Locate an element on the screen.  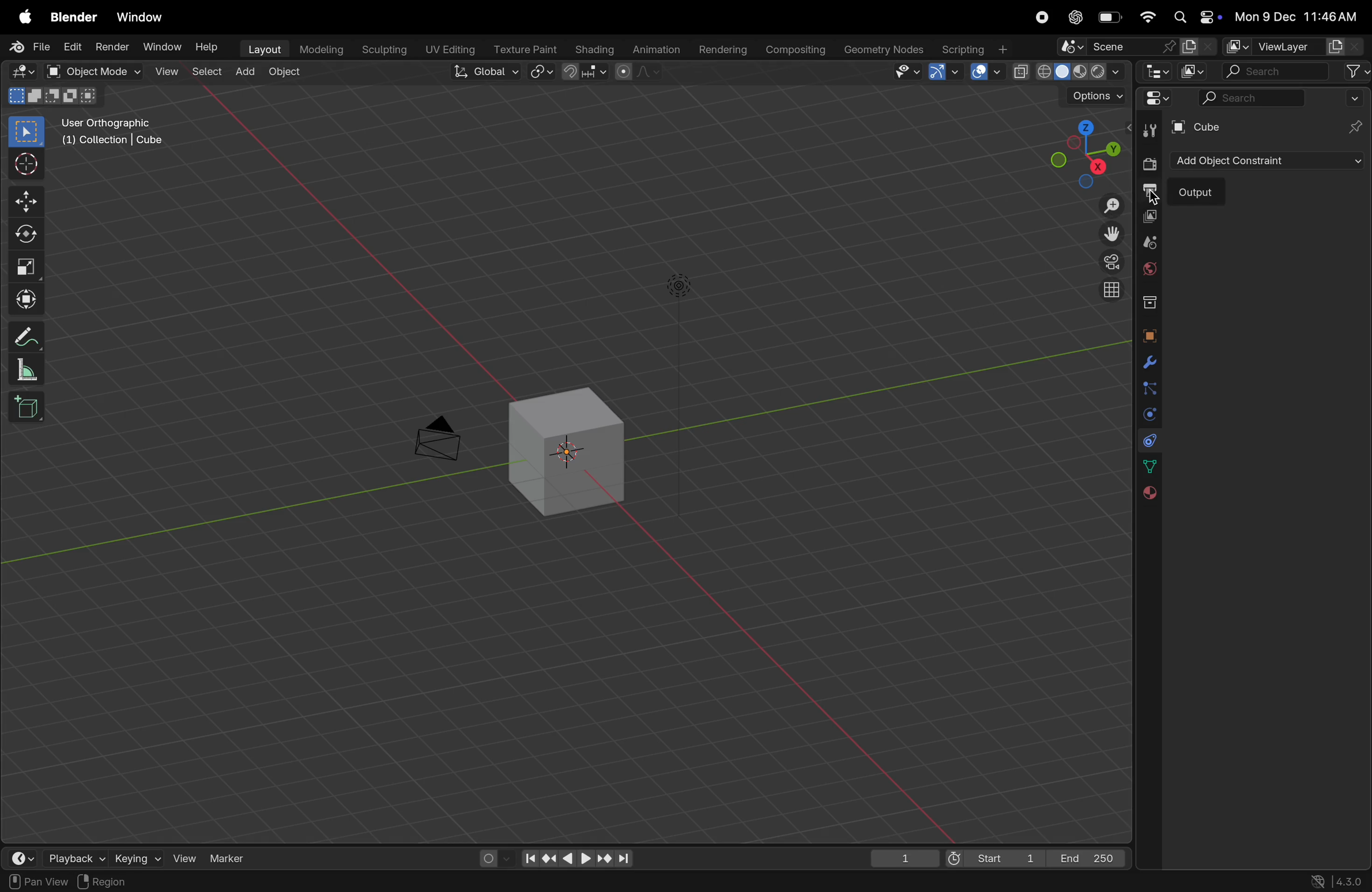
time frame is located at coordinates (24, 857).